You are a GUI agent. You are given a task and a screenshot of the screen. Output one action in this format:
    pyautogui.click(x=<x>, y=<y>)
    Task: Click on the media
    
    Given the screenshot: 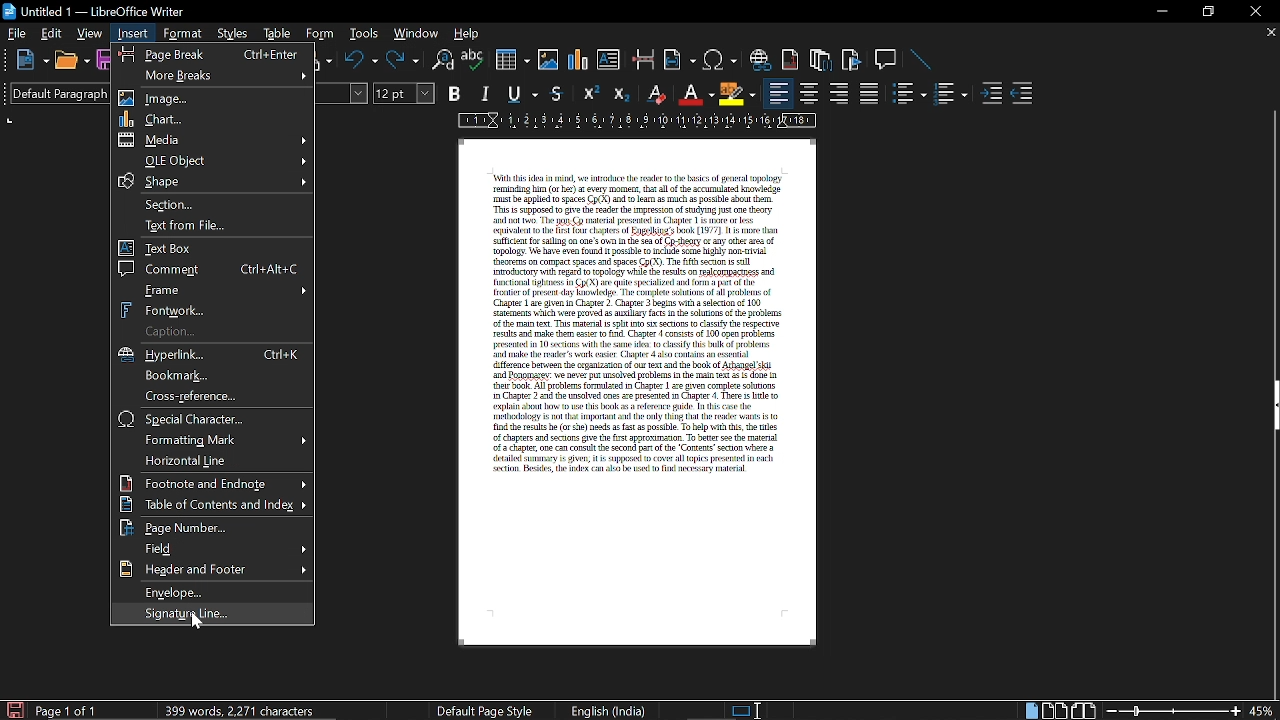 What is the action you would take?
    pyautogui.click(x=215, y=140)
    